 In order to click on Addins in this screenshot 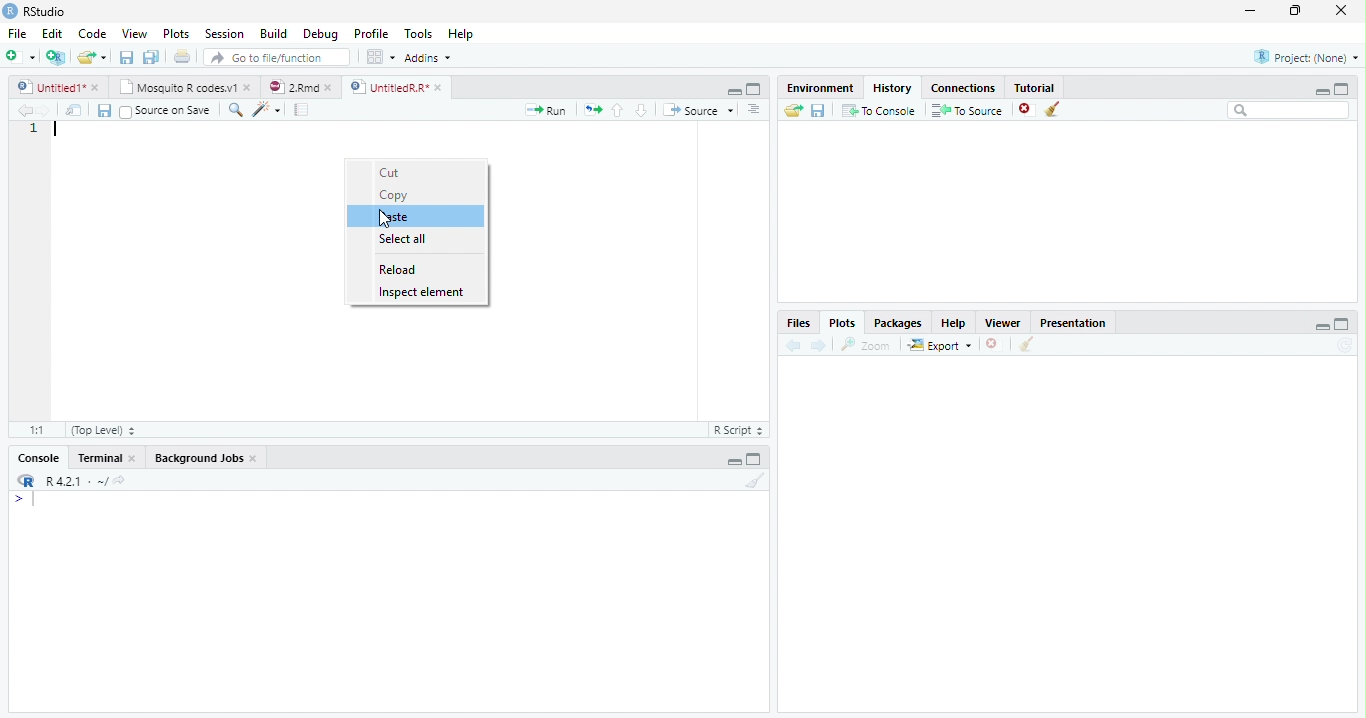, I will do `click(430, 57)`.